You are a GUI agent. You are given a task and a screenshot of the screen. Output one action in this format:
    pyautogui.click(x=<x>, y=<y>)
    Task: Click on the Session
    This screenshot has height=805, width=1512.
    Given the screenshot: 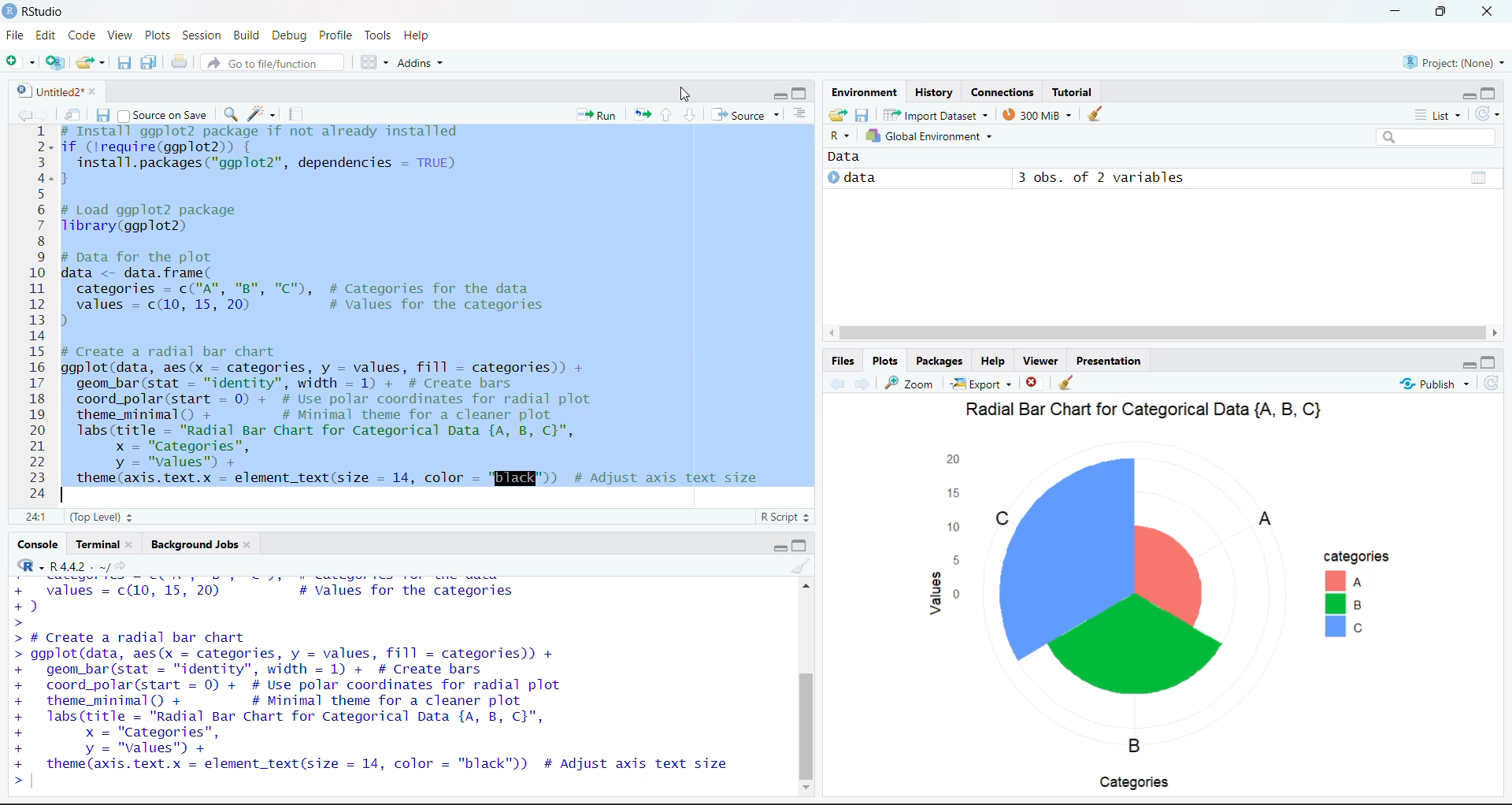 What is the action you would take?
    pyautogui.click(x=201, y=35)
    